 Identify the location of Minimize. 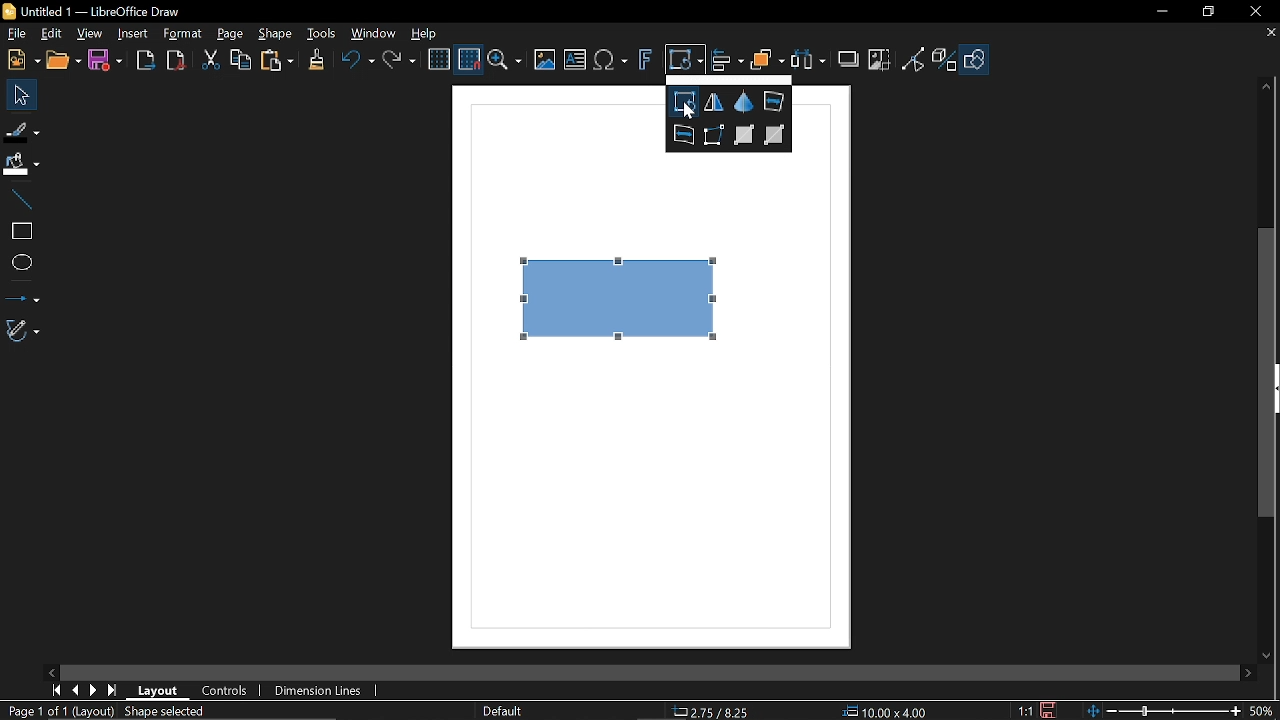
(1159, 12).